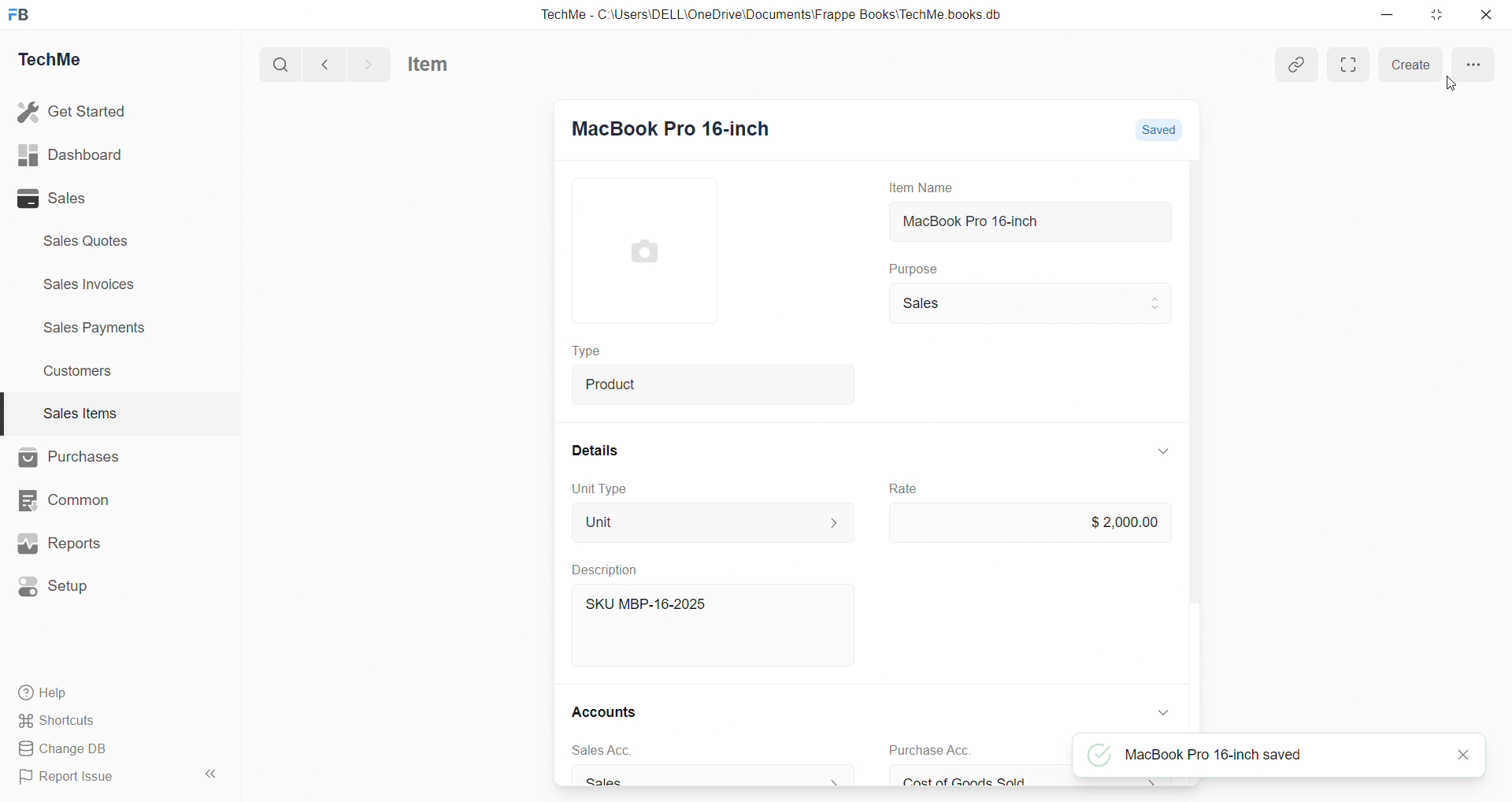 Image resolution: width=1512 pixels, height=802 pixels. Describe the element at coordinates (1195, 755) in the screenshot. I see `MacBook Pro 16-inch saved` at that location.